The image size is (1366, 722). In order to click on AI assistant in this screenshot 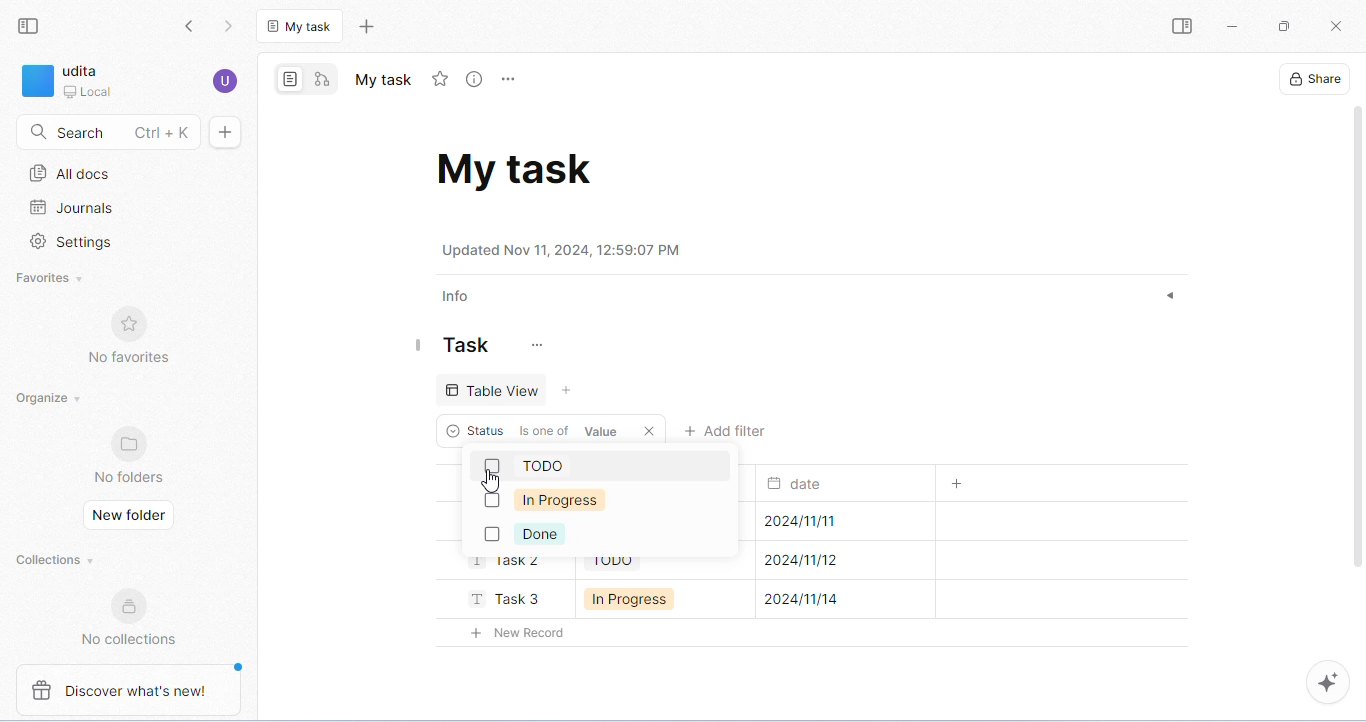, I will do `click(1326, 682)`.